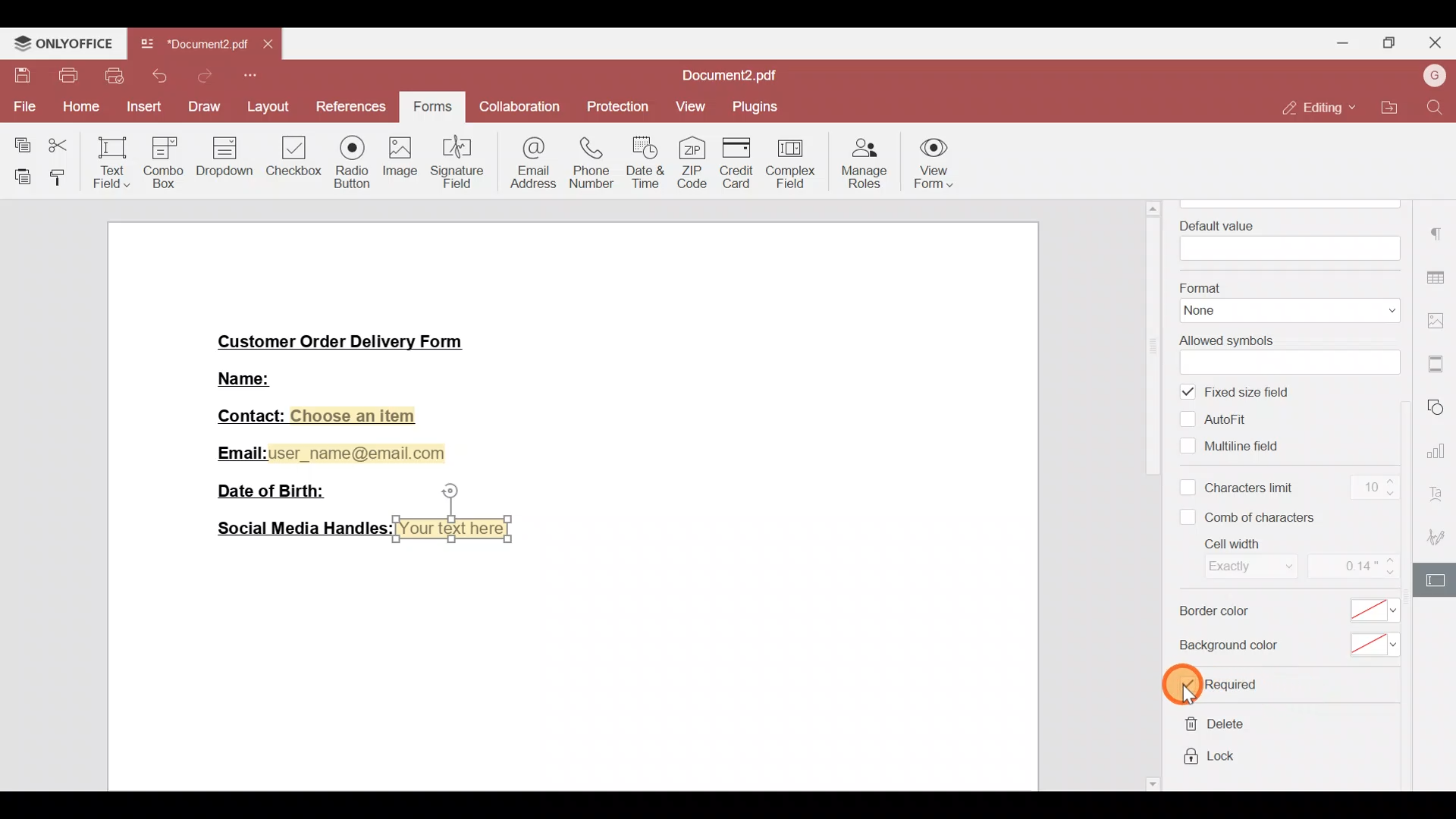  Describe the element at coordinates (1211, 759) in the screenshot. I see `Lock` at that location.